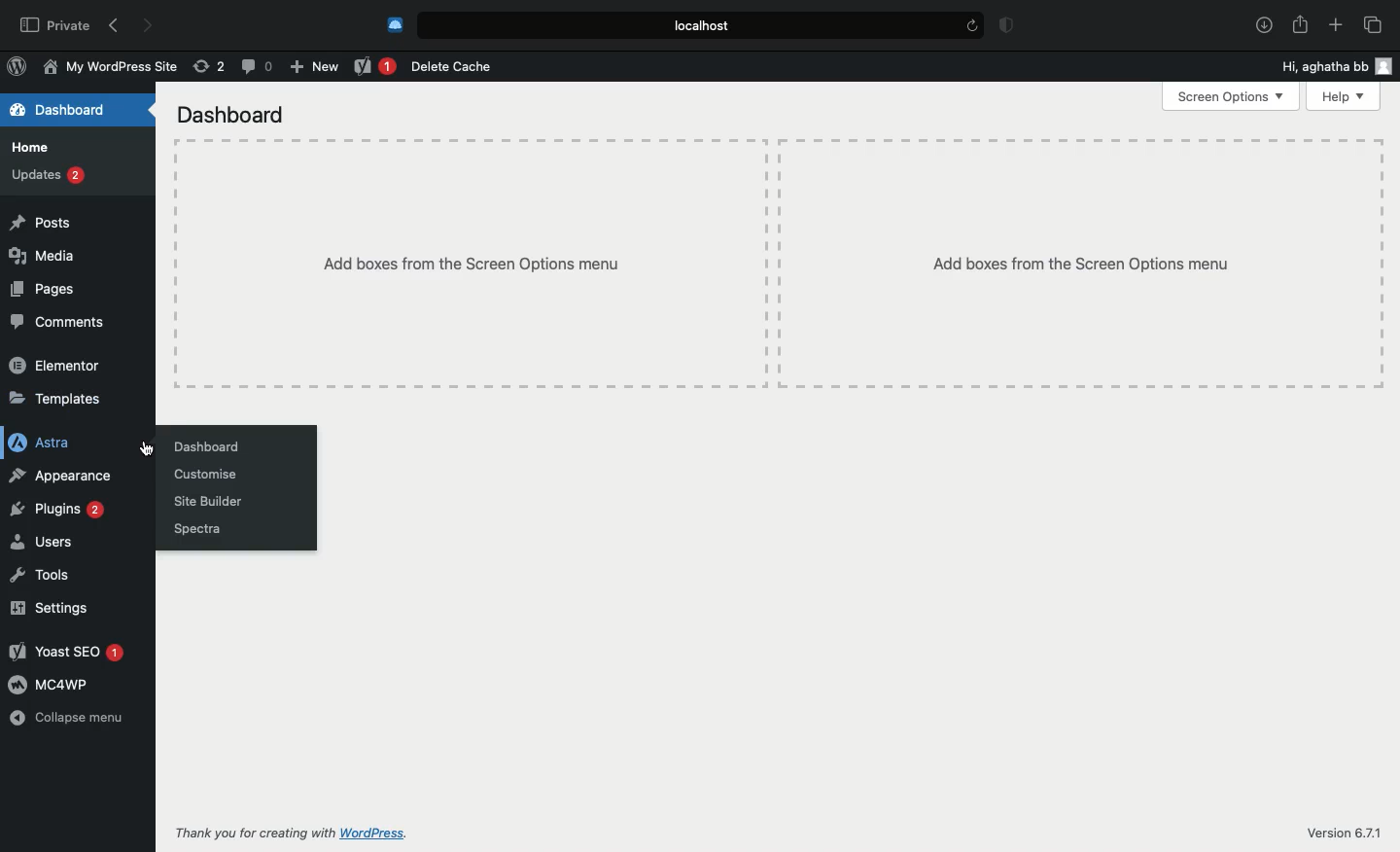  What do you see at coordinates (55, 683) in the screenshot?
I see `MC4WP` at bounding box center [55, 683].